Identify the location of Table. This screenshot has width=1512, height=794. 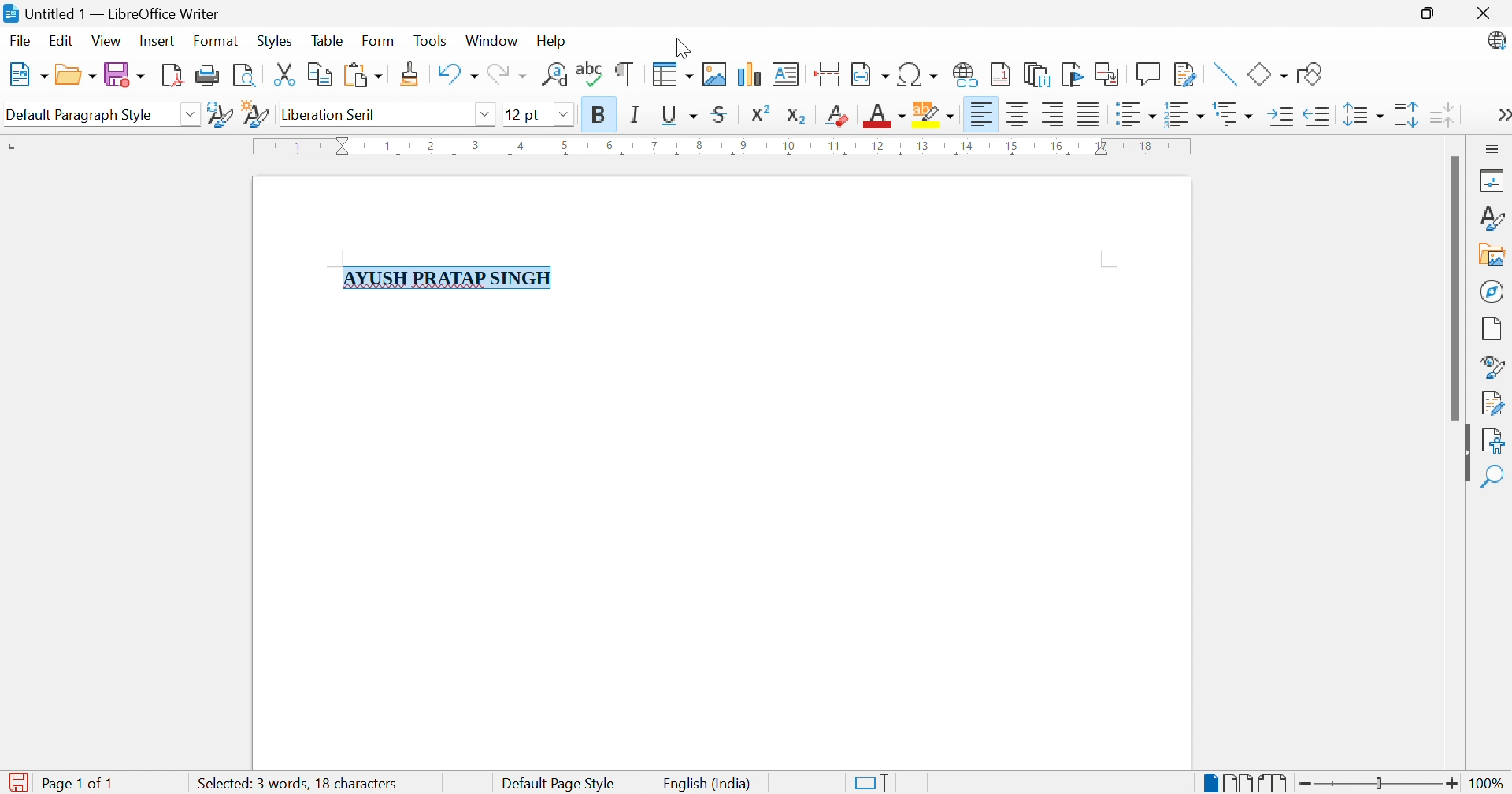
(328, 41).